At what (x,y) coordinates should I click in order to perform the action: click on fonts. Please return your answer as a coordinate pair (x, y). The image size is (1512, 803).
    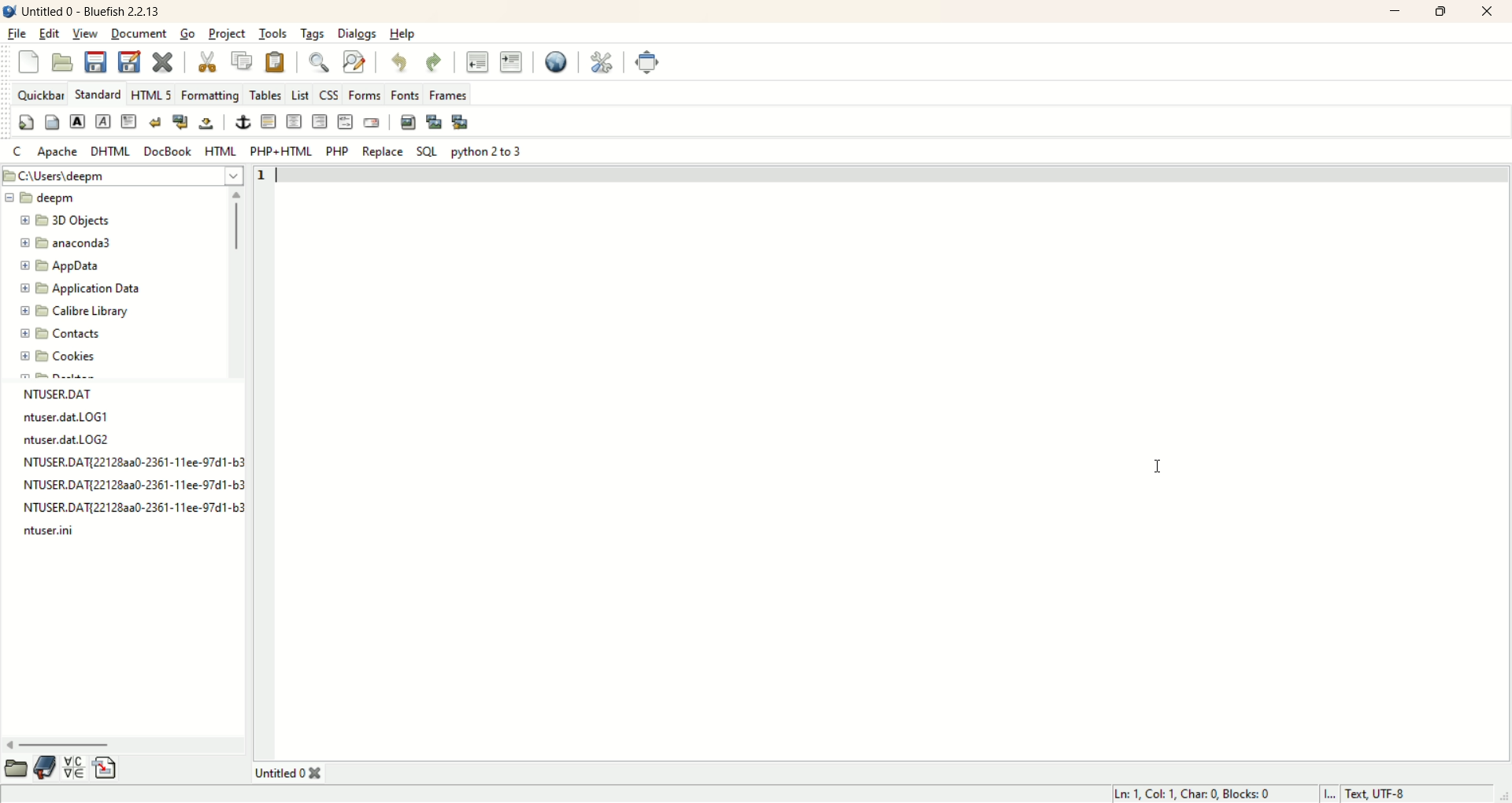
    Looking at the image, I should click on (404, 94).